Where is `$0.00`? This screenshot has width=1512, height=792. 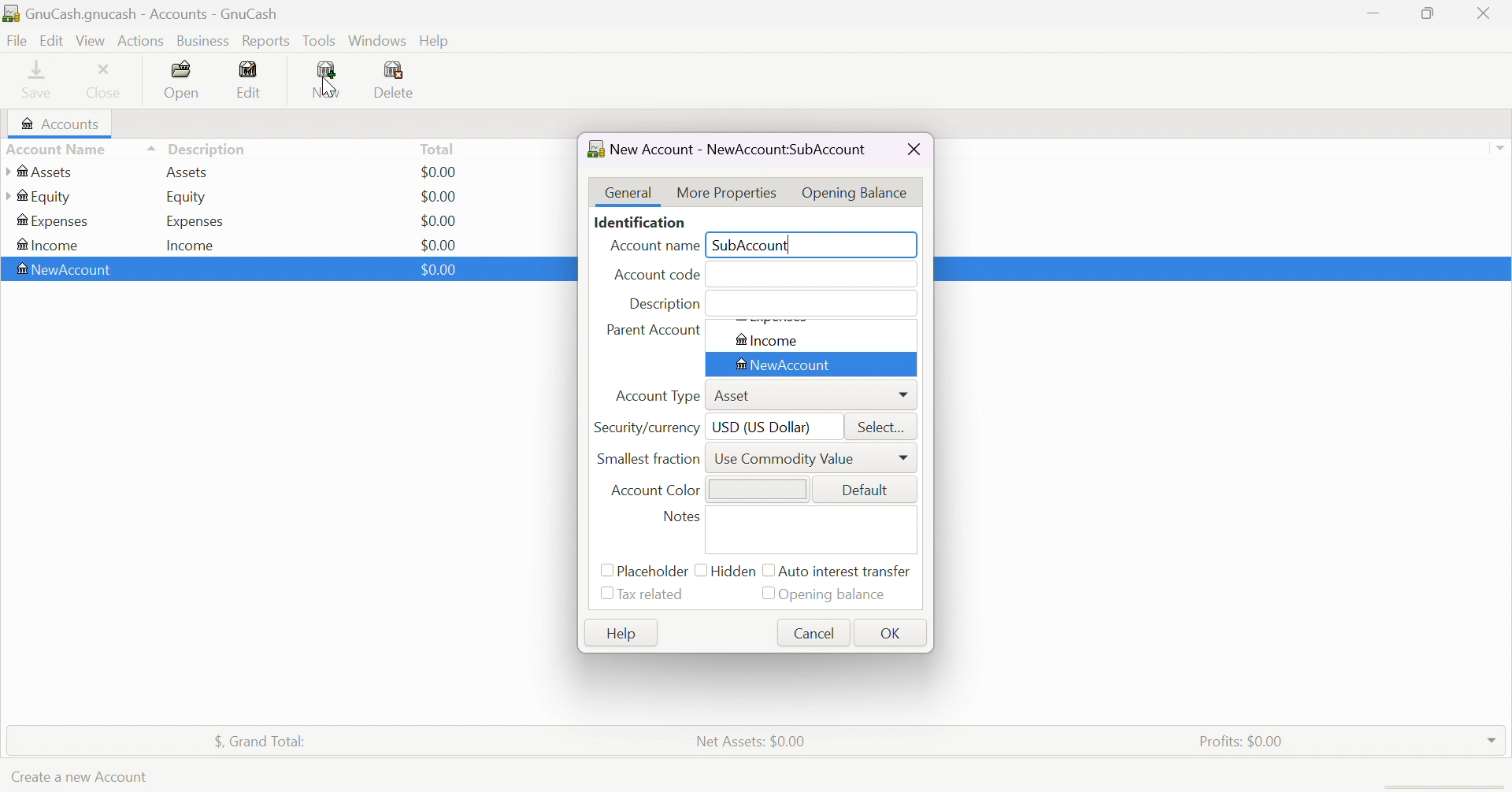 $0.00 is located at coordinates (440, 221).